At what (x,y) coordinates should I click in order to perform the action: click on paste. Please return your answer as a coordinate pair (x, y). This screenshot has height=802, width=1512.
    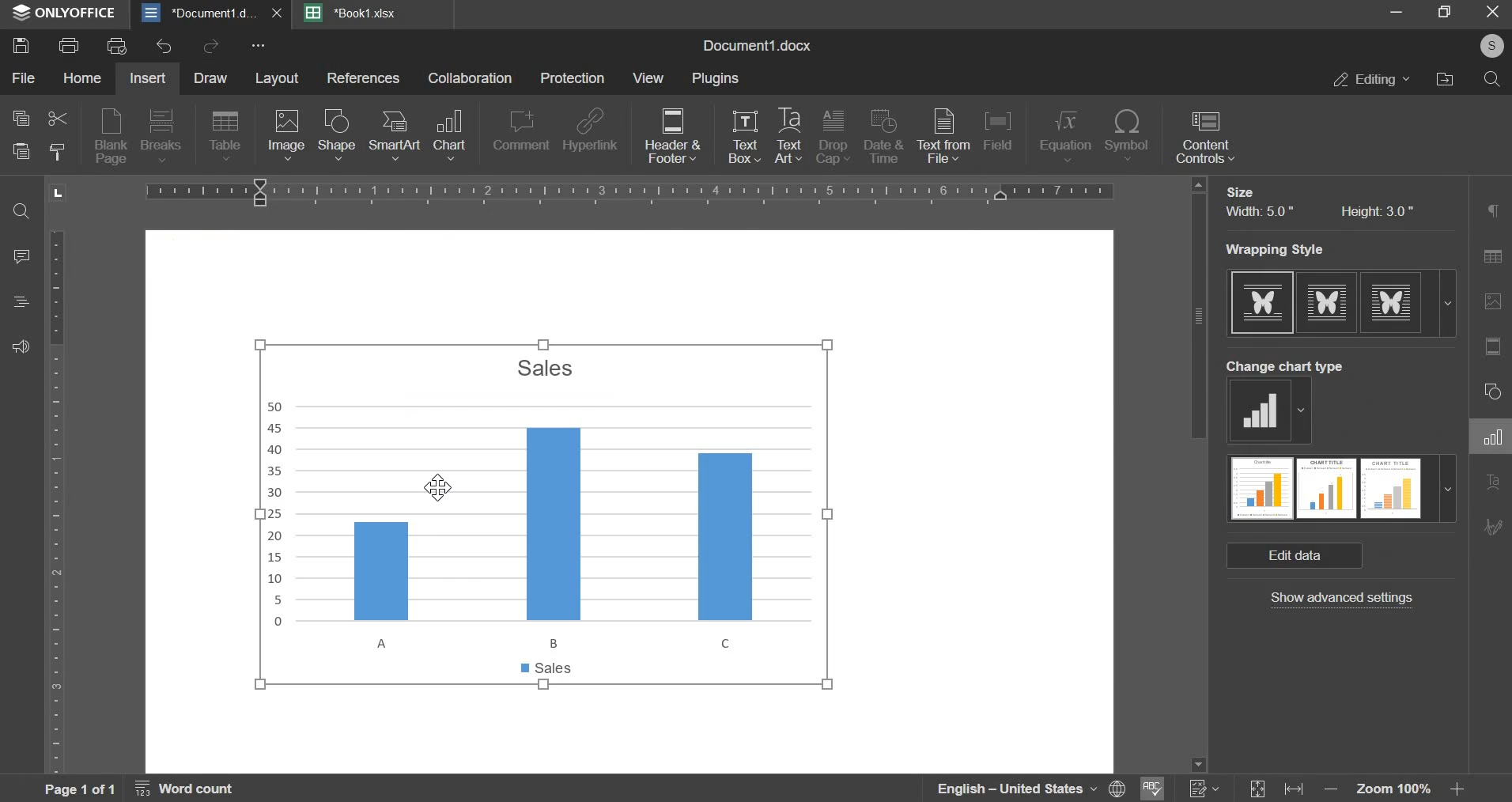
    Looking at the image, I should click on (20, 151).